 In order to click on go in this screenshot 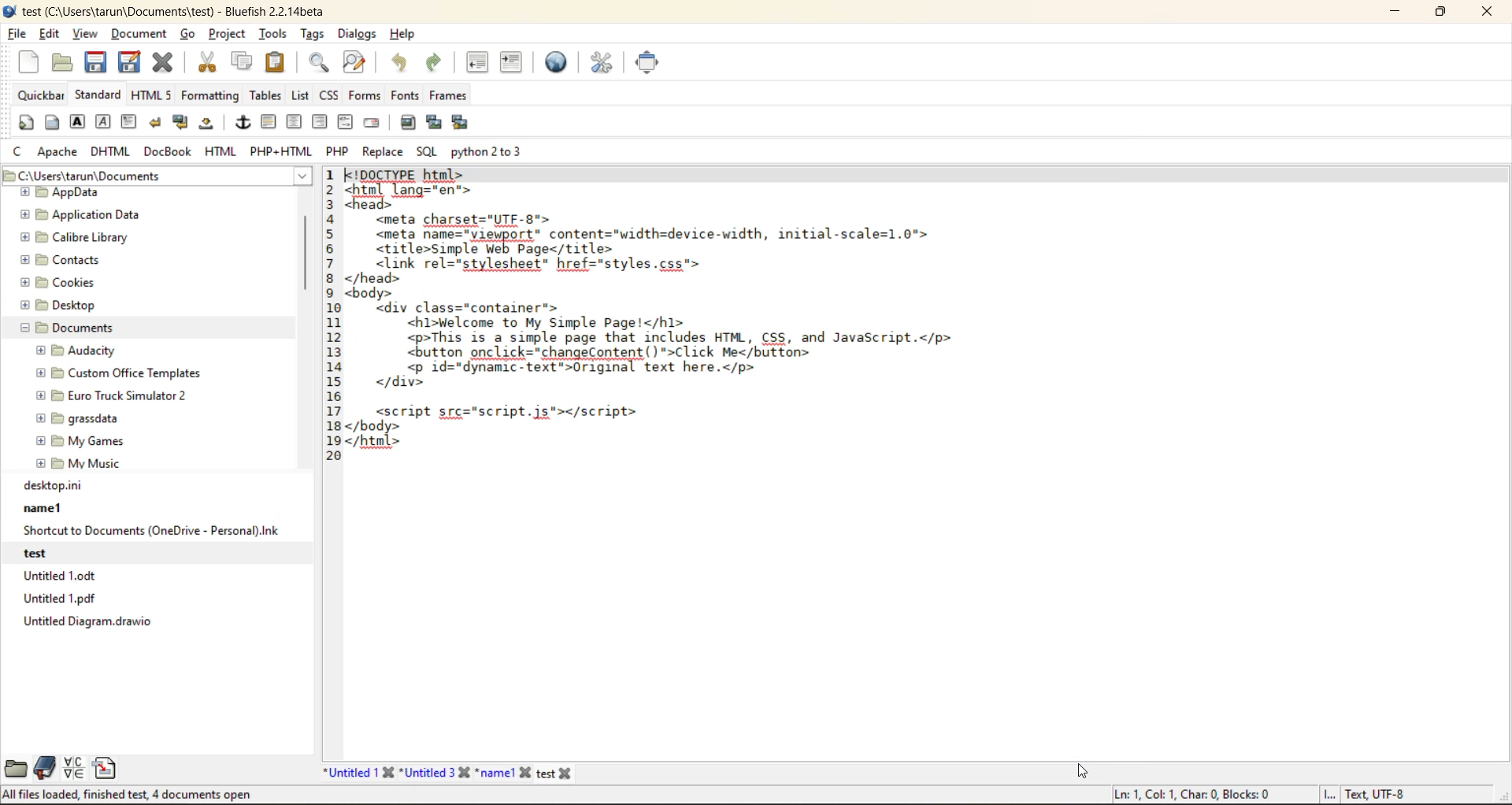, I will do `click(190, 34)`.